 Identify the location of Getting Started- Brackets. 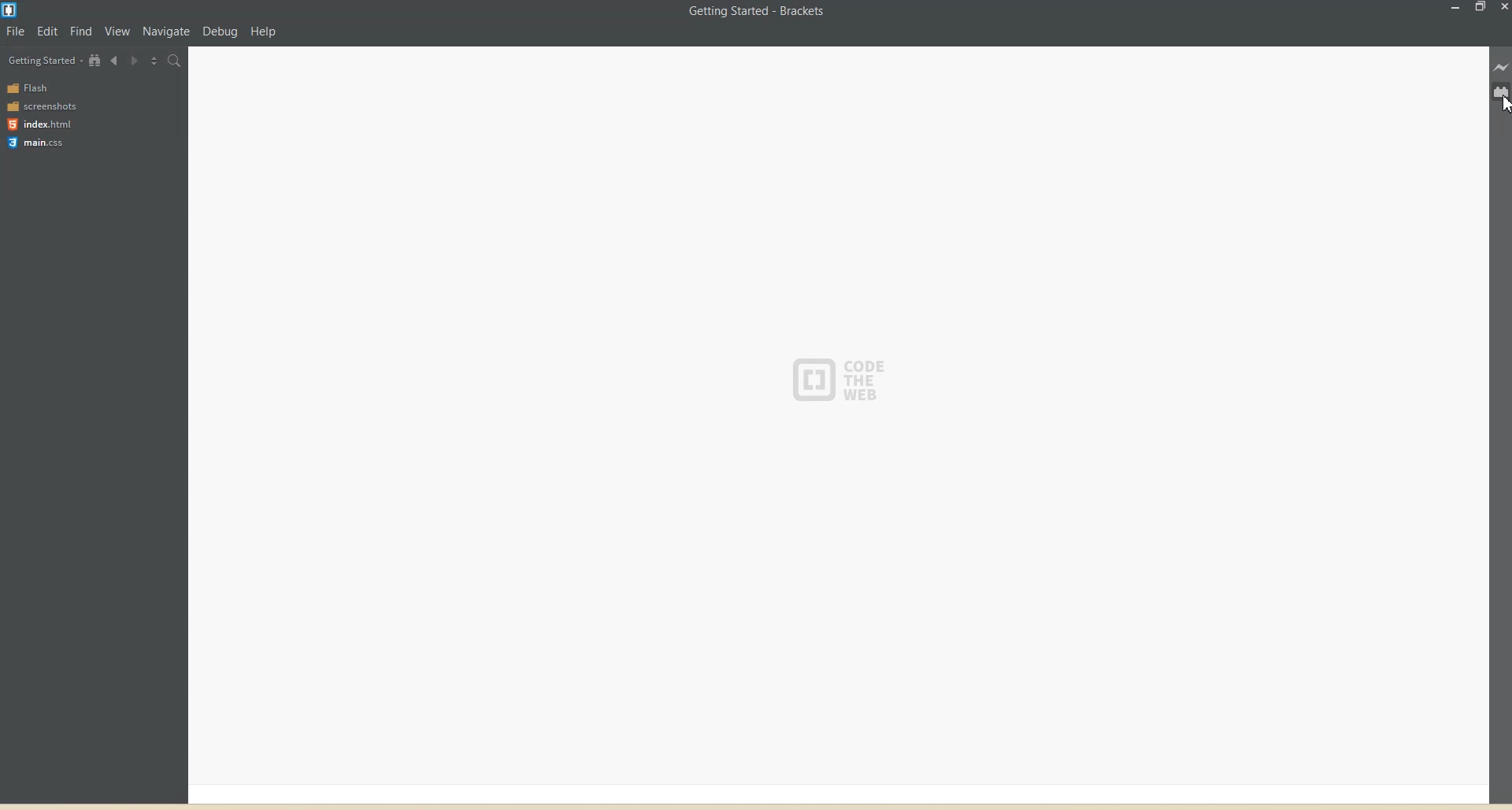
(756, 12).